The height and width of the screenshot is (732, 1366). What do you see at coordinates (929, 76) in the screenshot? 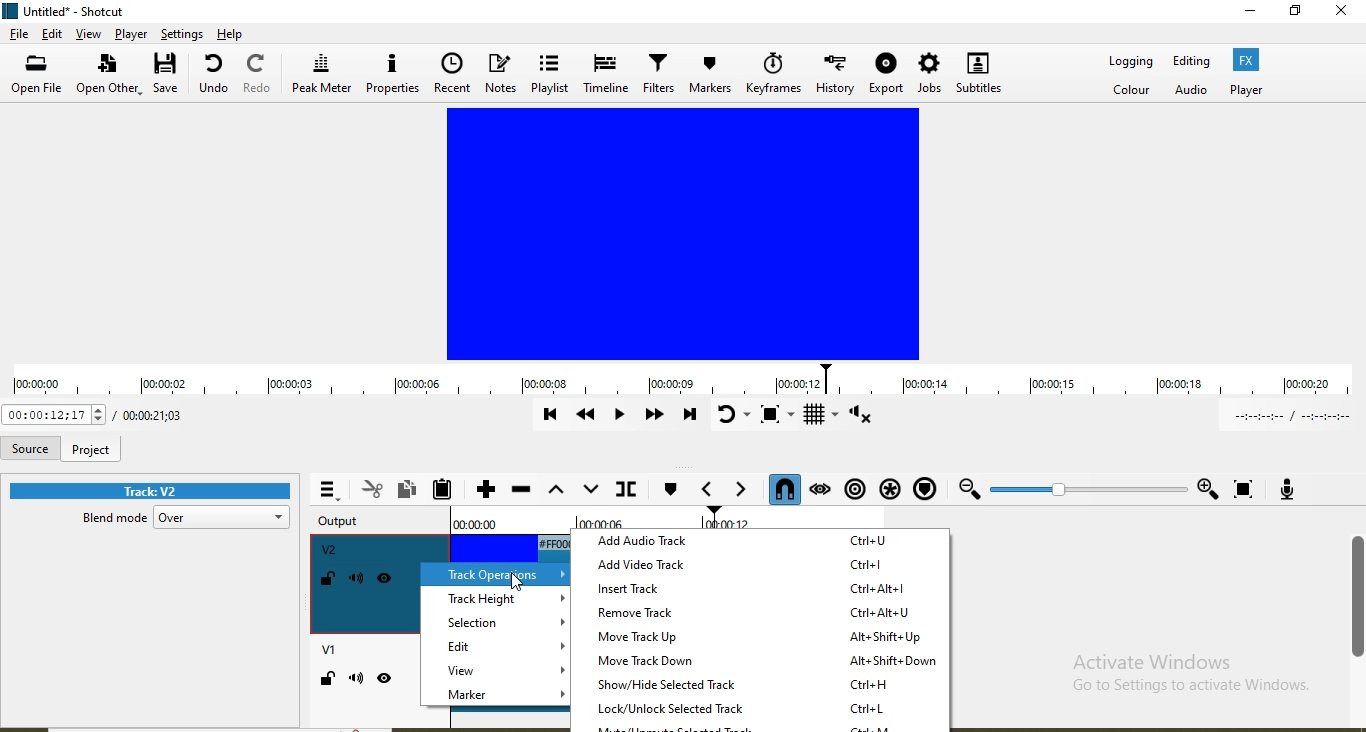
I see `Jobs` at bounding box center [929, 76].